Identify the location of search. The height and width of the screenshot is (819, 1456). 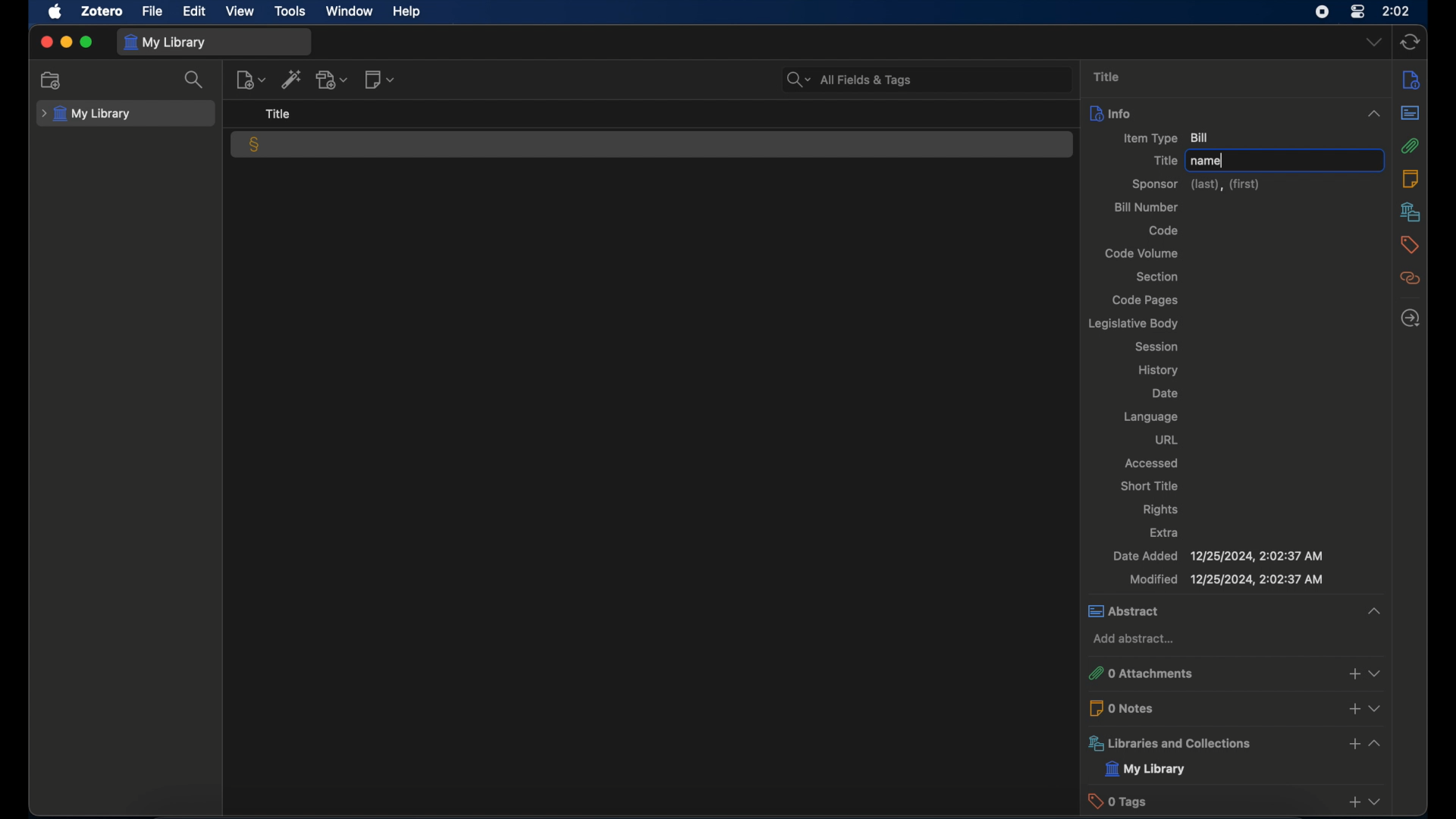
(194, 79).